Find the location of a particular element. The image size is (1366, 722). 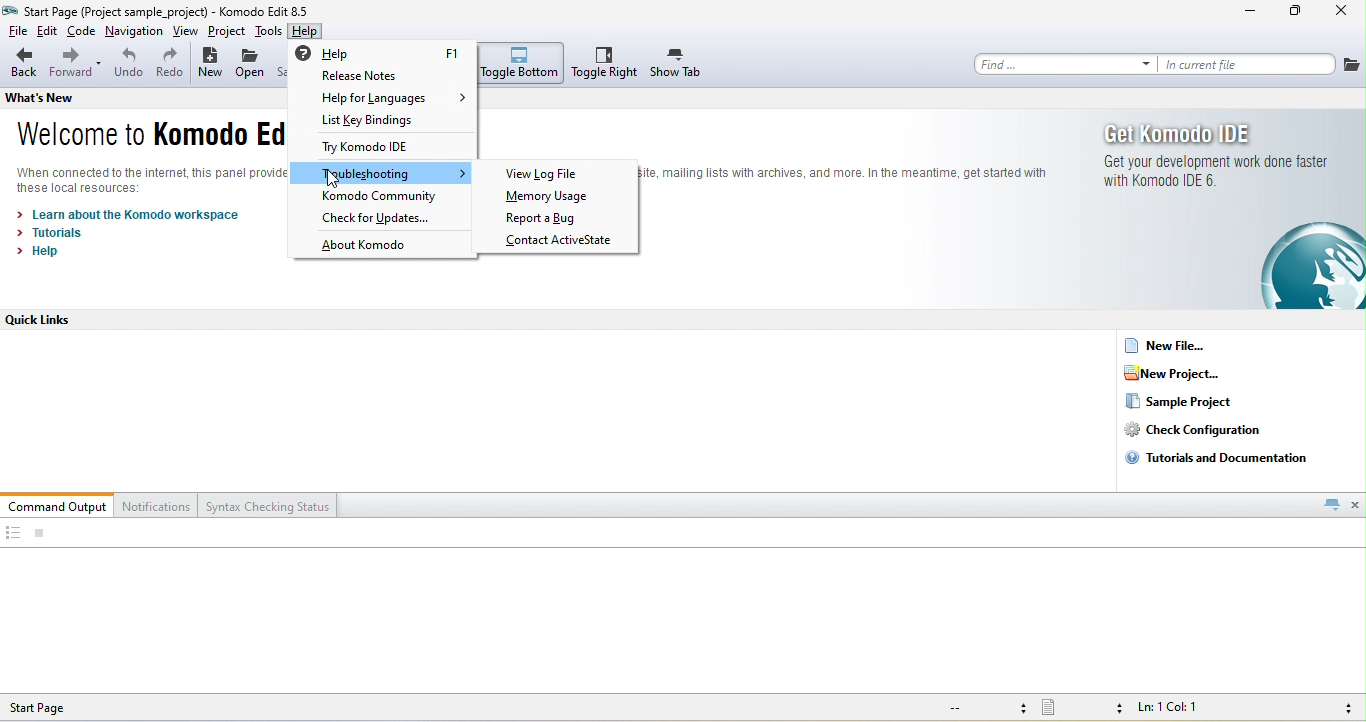

quick links is located at coordinates (49, 320).